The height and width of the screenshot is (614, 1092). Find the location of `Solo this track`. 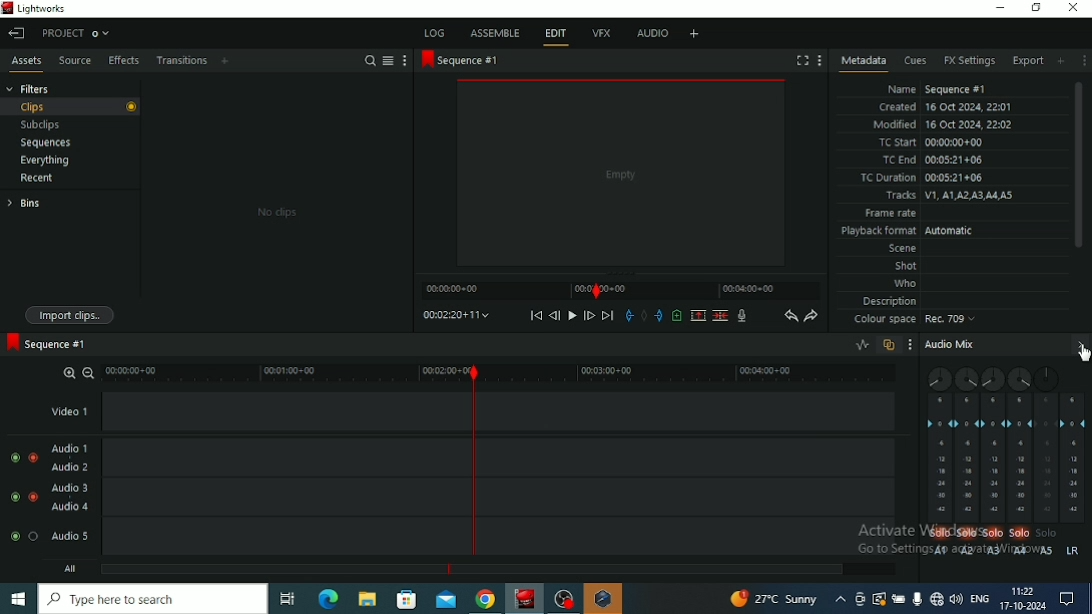

Solo this track is located at coordinates (33, 536).